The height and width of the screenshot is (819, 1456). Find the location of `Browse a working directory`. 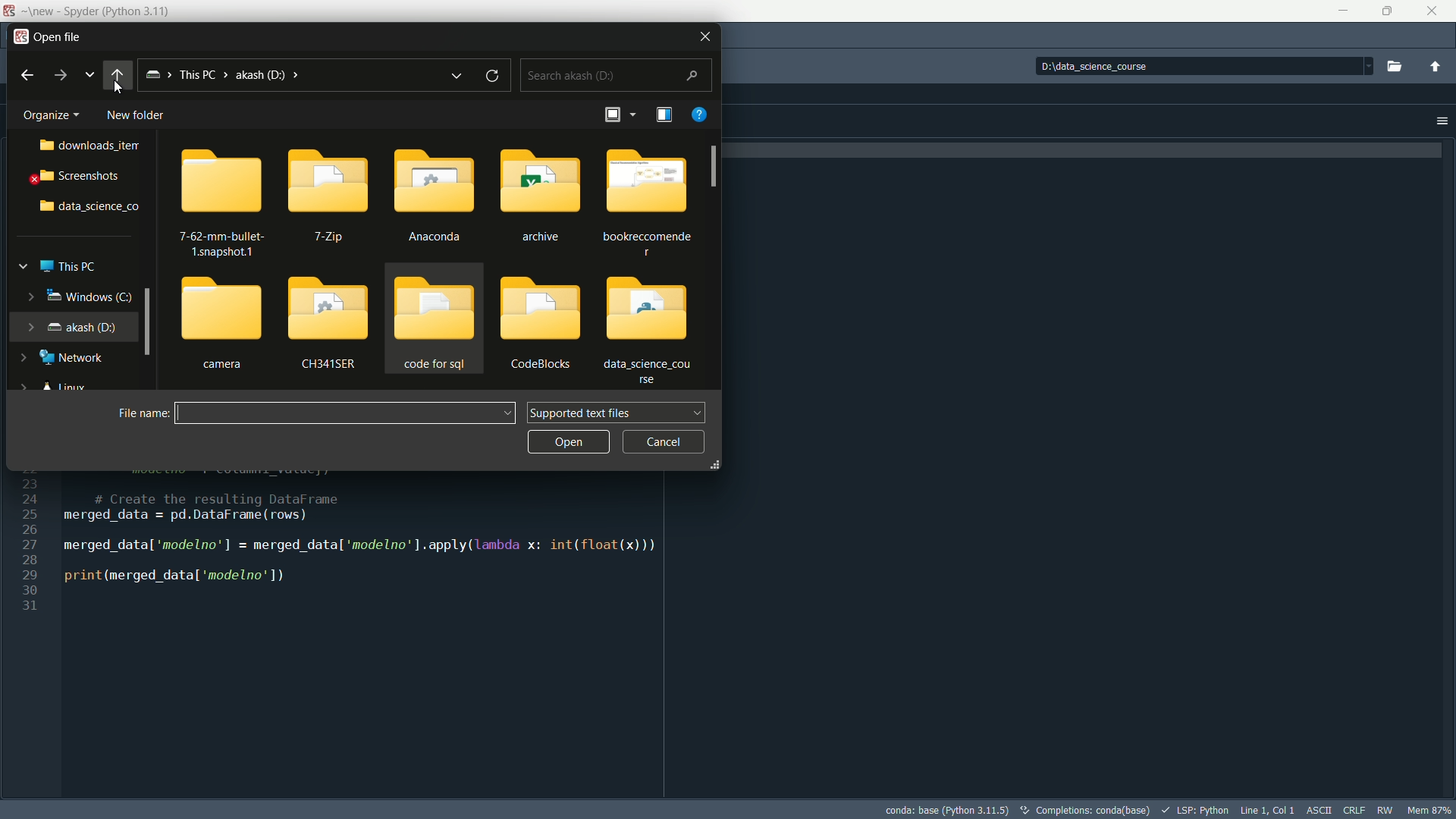

Browse a working directory is located at coordinates (1394, 66).